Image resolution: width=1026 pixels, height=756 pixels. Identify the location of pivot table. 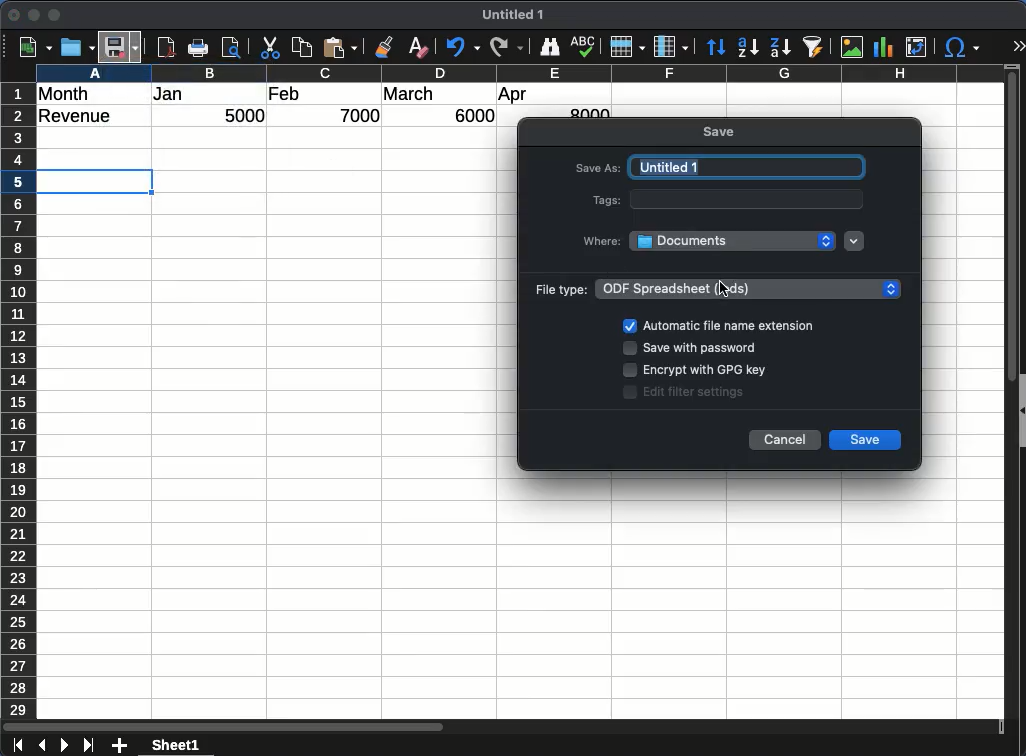
(915, 48).